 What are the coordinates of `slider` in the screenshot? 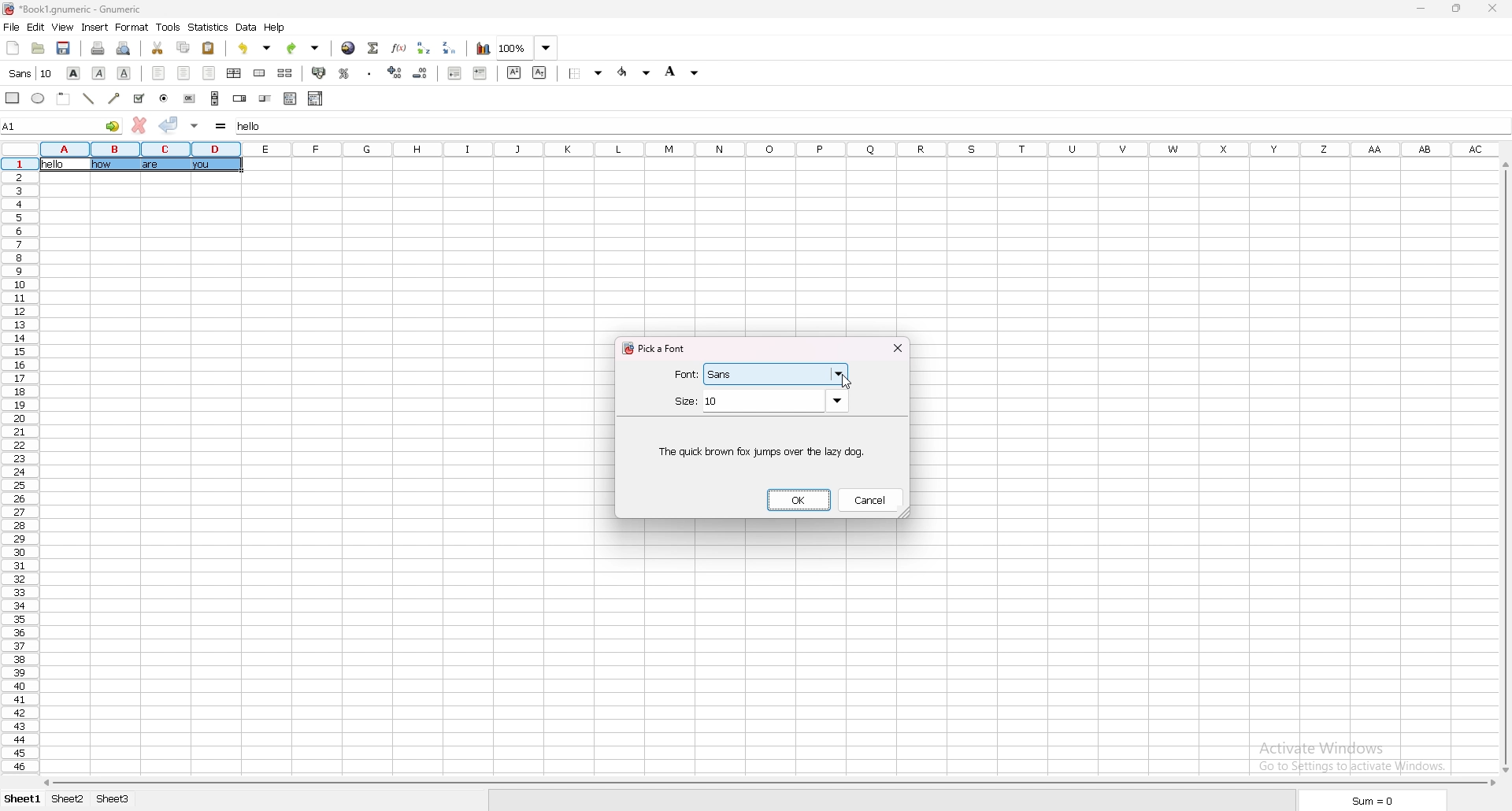 It's located at (265, 98).